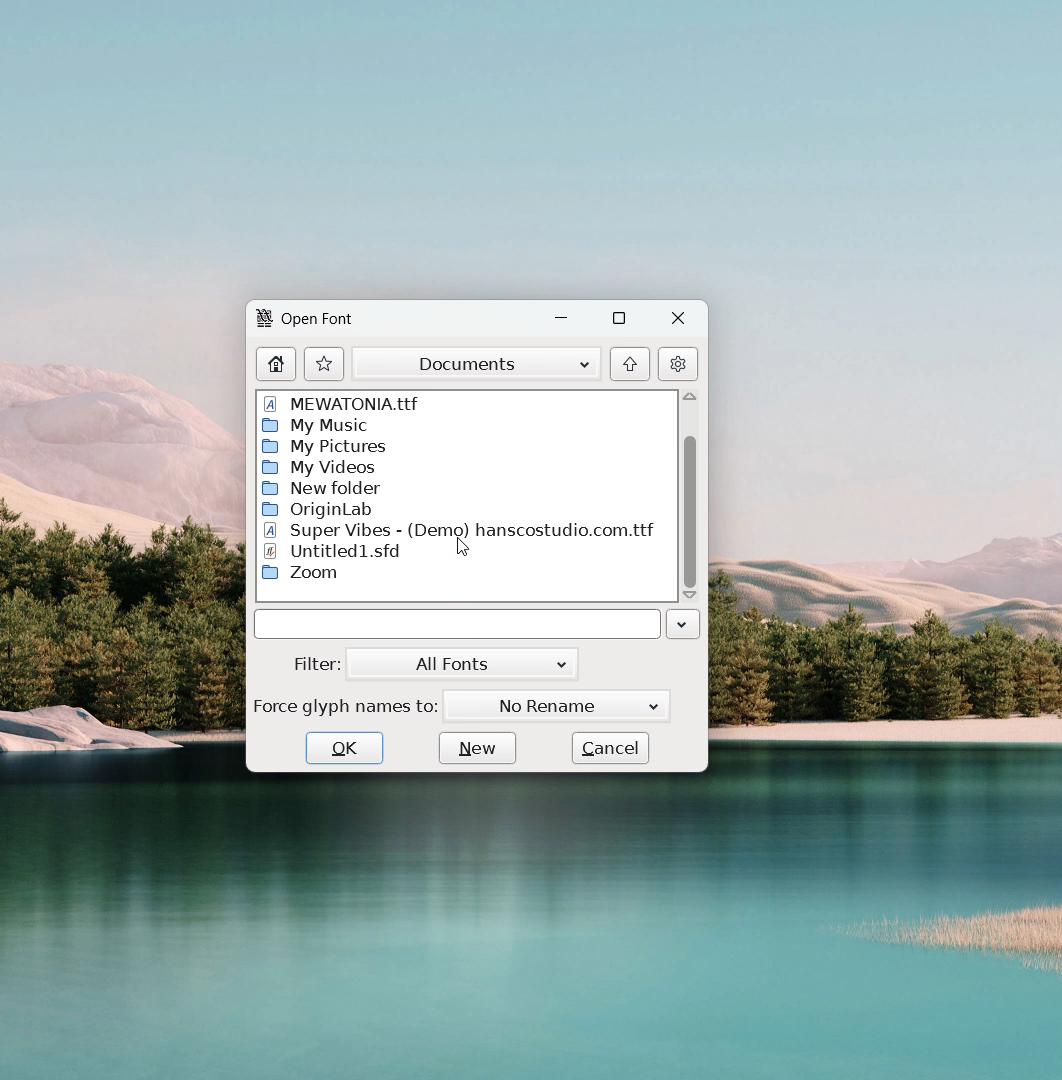 The height and width of the screenshot is (1080, 1062). I want to click on maximize, so click(621, 319).